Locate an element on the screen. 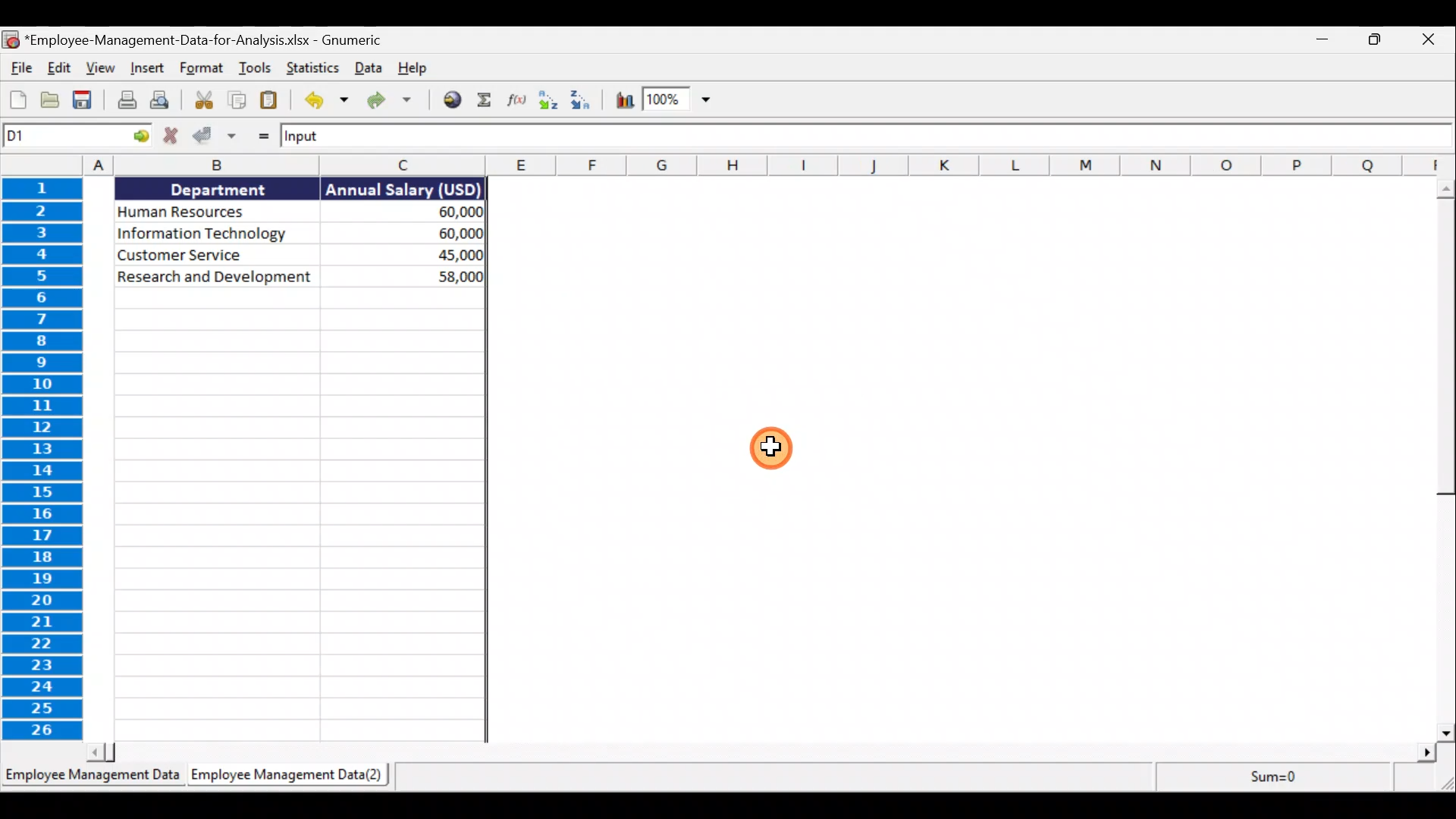 The width and height of the screenshot is (1456, 819). Tools is located at coordinates (257, 66).